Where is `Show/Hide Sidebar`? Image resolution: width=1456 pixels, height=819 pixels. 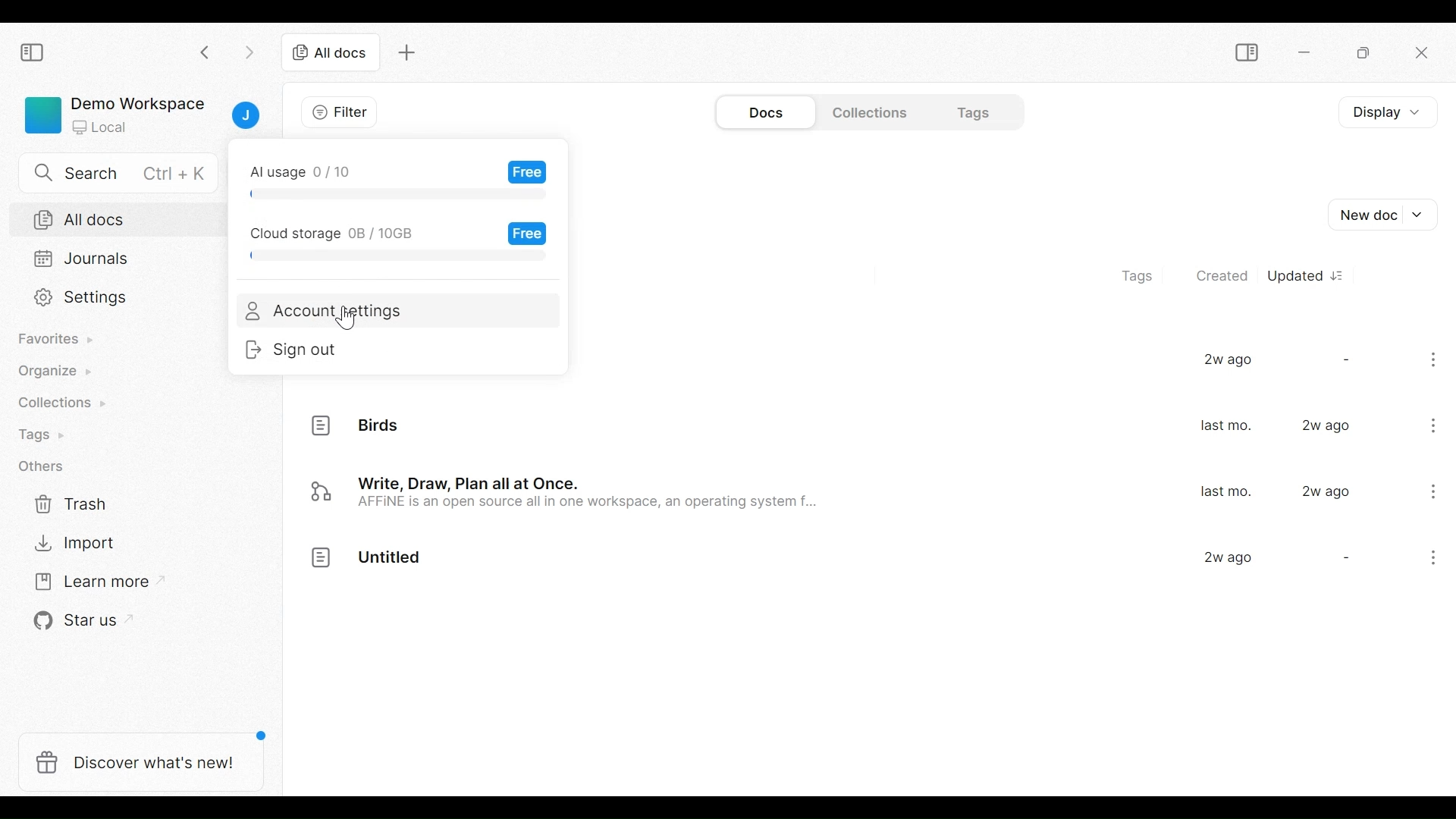 Show/Hide Sidebar is located at coordinates (35, 53).